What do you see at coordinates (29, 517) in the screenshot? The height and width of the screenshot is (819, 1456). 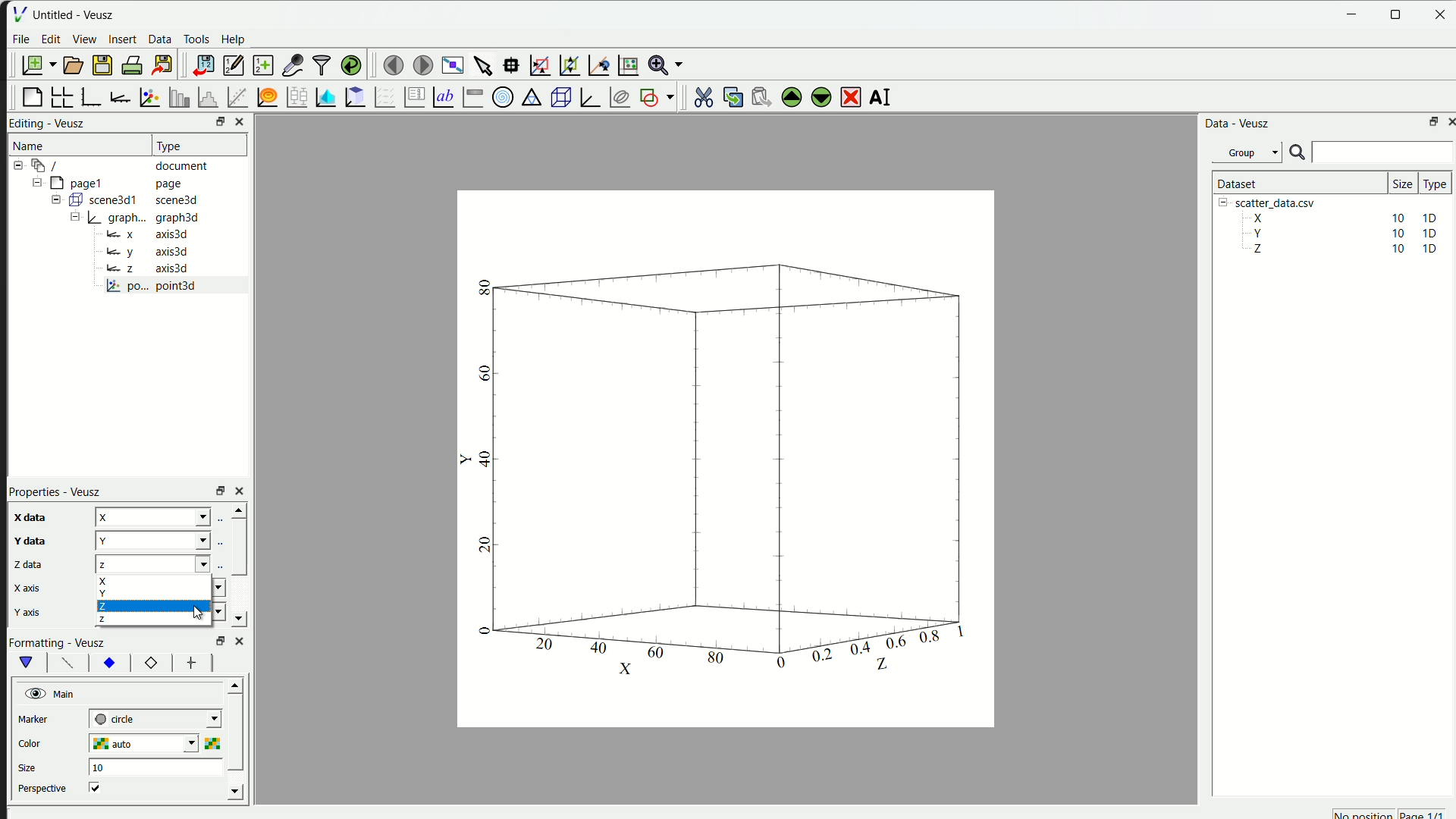 I see `x data` at bounding box center [29, 517].